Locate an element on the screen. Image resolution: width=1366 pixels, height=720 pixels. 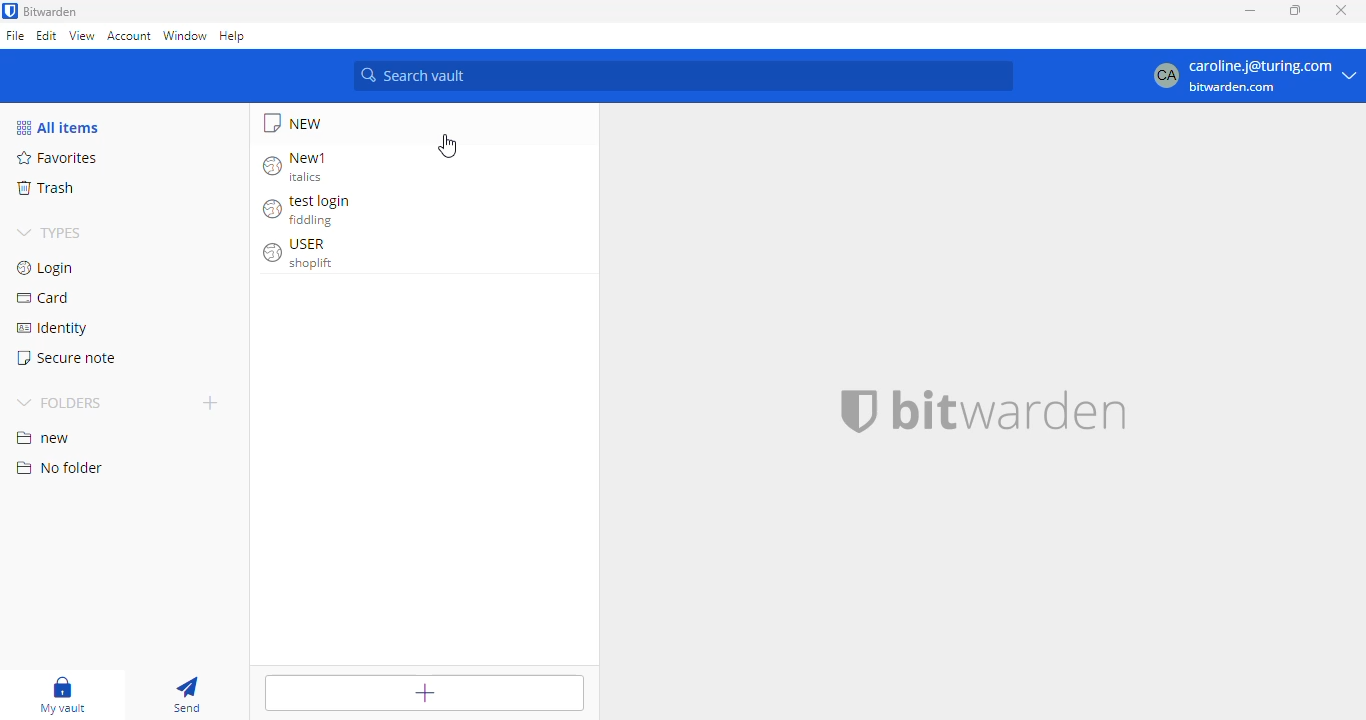
my vault is located at coordinates (70, 695).